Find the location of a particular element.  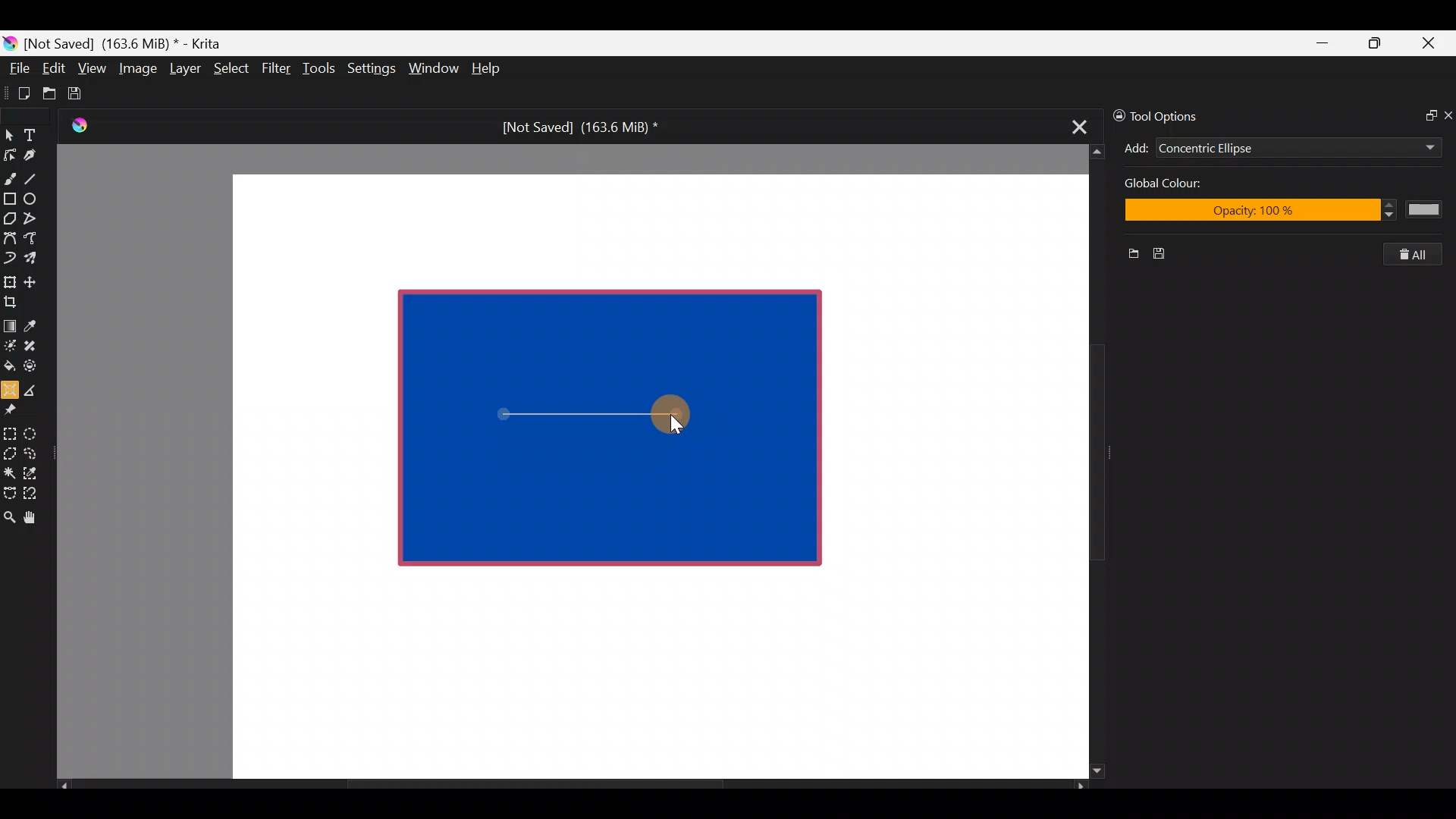

Close is located at coordinates (1429, 46).